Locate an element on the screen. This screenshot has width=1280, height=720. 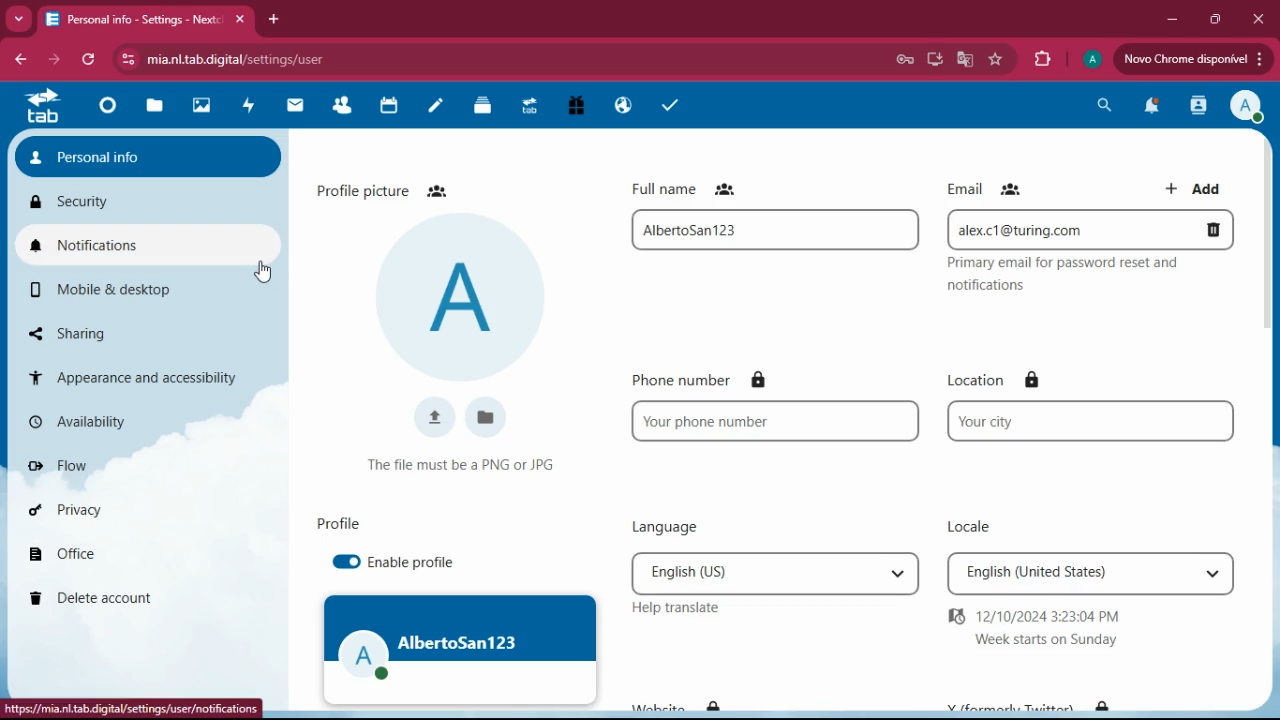
desktop is located at coordinates (932, 62).